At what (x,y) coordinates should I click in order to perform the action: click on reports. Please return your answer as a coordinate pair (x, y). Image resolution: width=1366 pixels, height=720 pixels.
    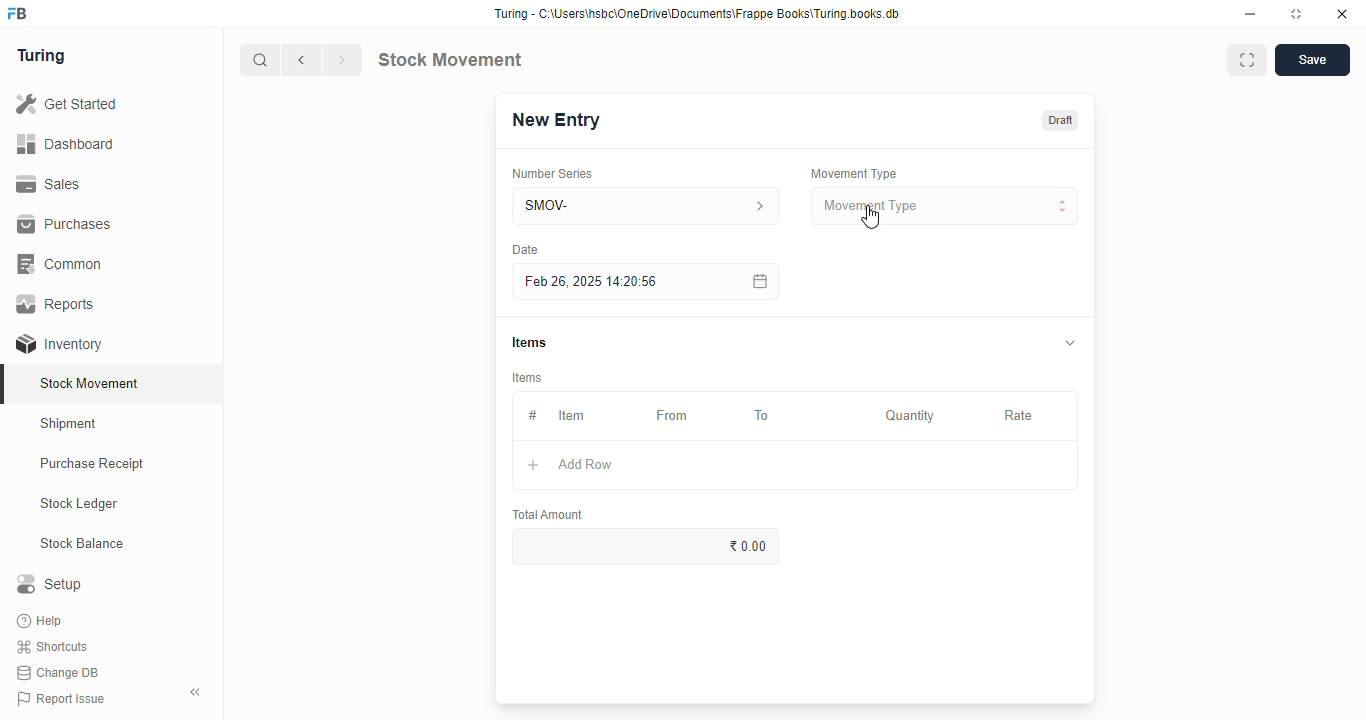
    Looking at the image, I should click on (57, 303).